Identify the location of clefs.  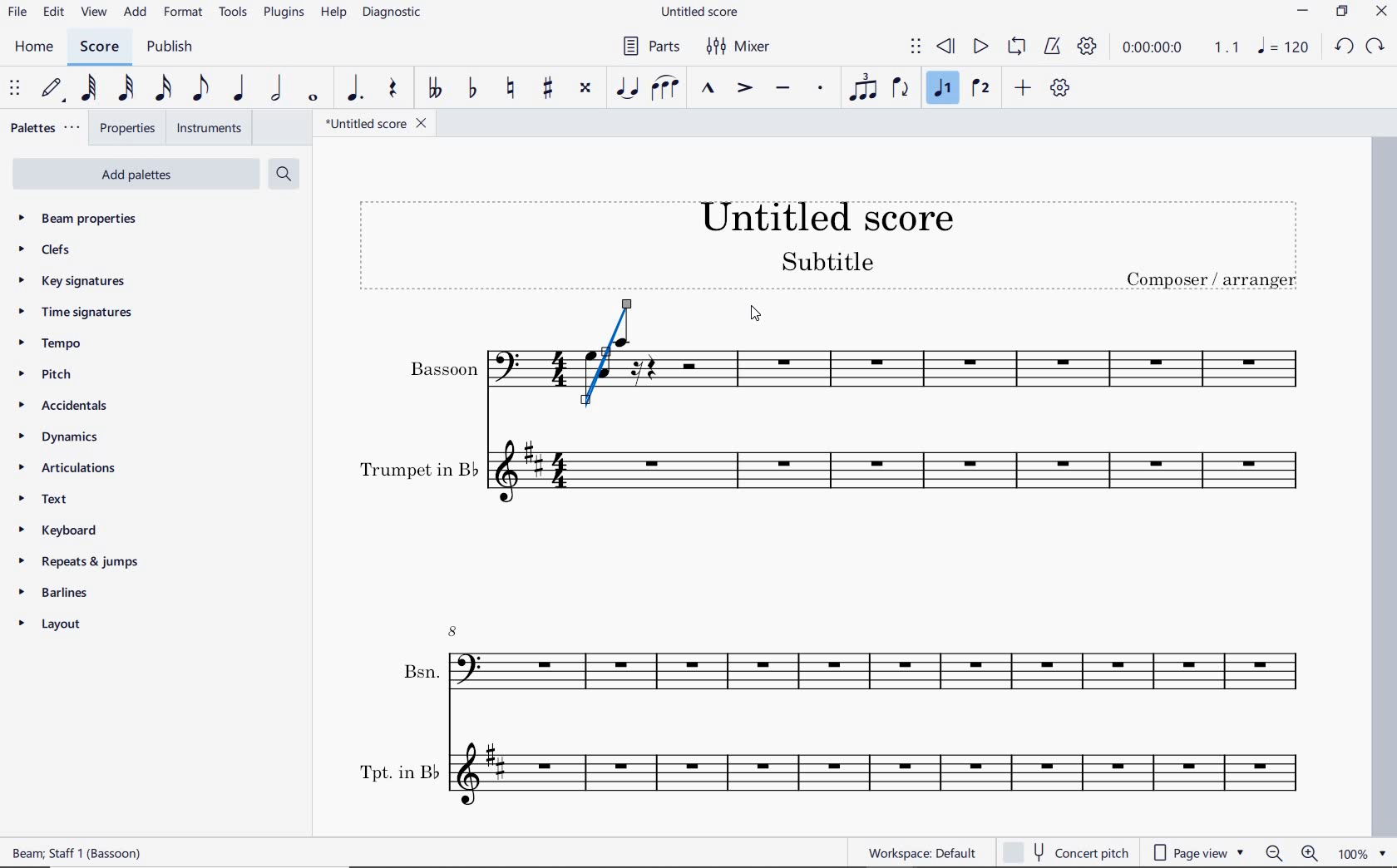
(45, 249).